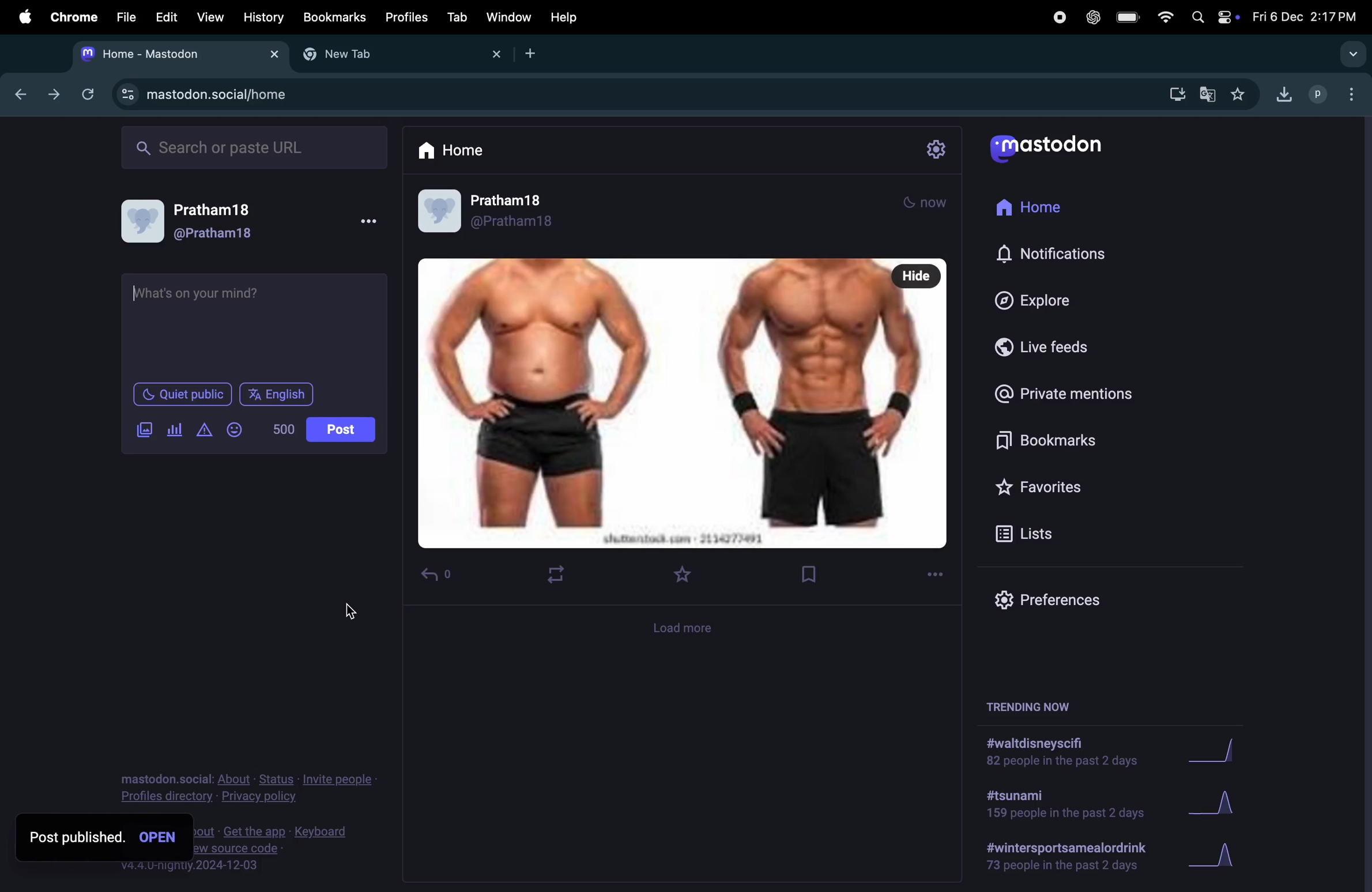  Describe the element at coordinates (397, 55) in the screenshot. I see `new tab` at that location.